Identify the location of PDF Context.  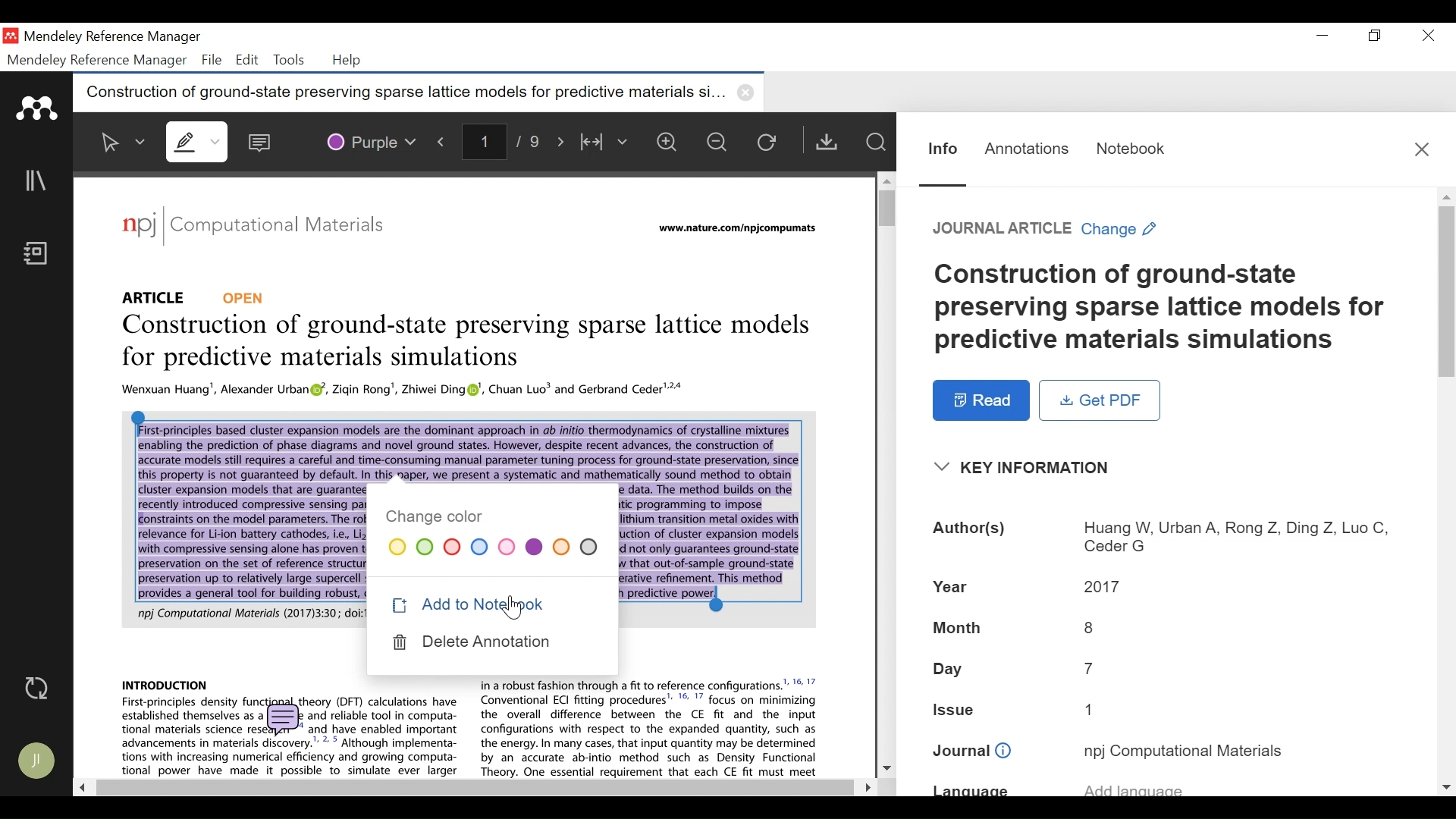
(405, 391).